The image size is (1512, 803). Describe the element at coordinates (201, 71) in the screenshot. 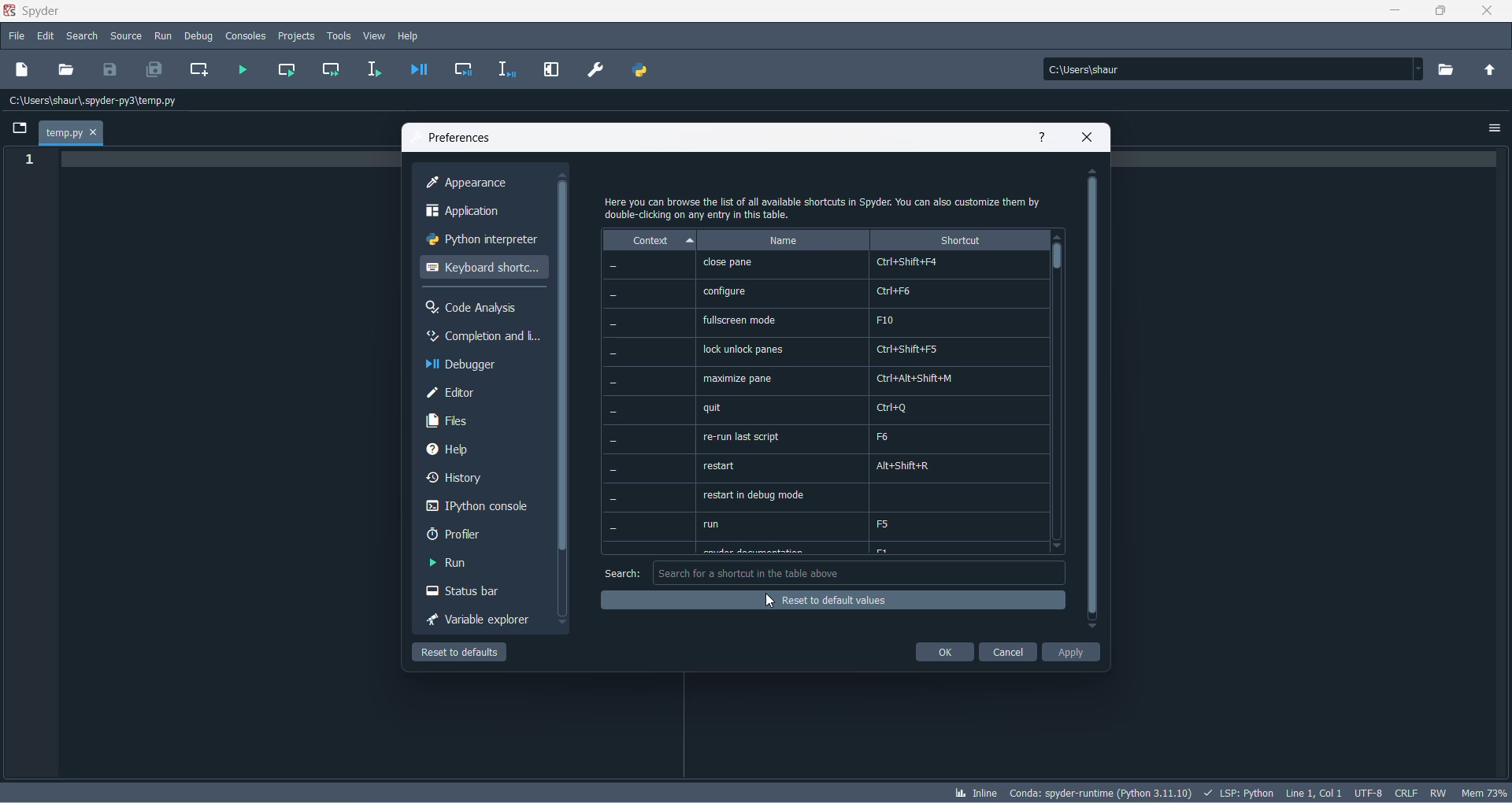

I see `create new cell` at that location.